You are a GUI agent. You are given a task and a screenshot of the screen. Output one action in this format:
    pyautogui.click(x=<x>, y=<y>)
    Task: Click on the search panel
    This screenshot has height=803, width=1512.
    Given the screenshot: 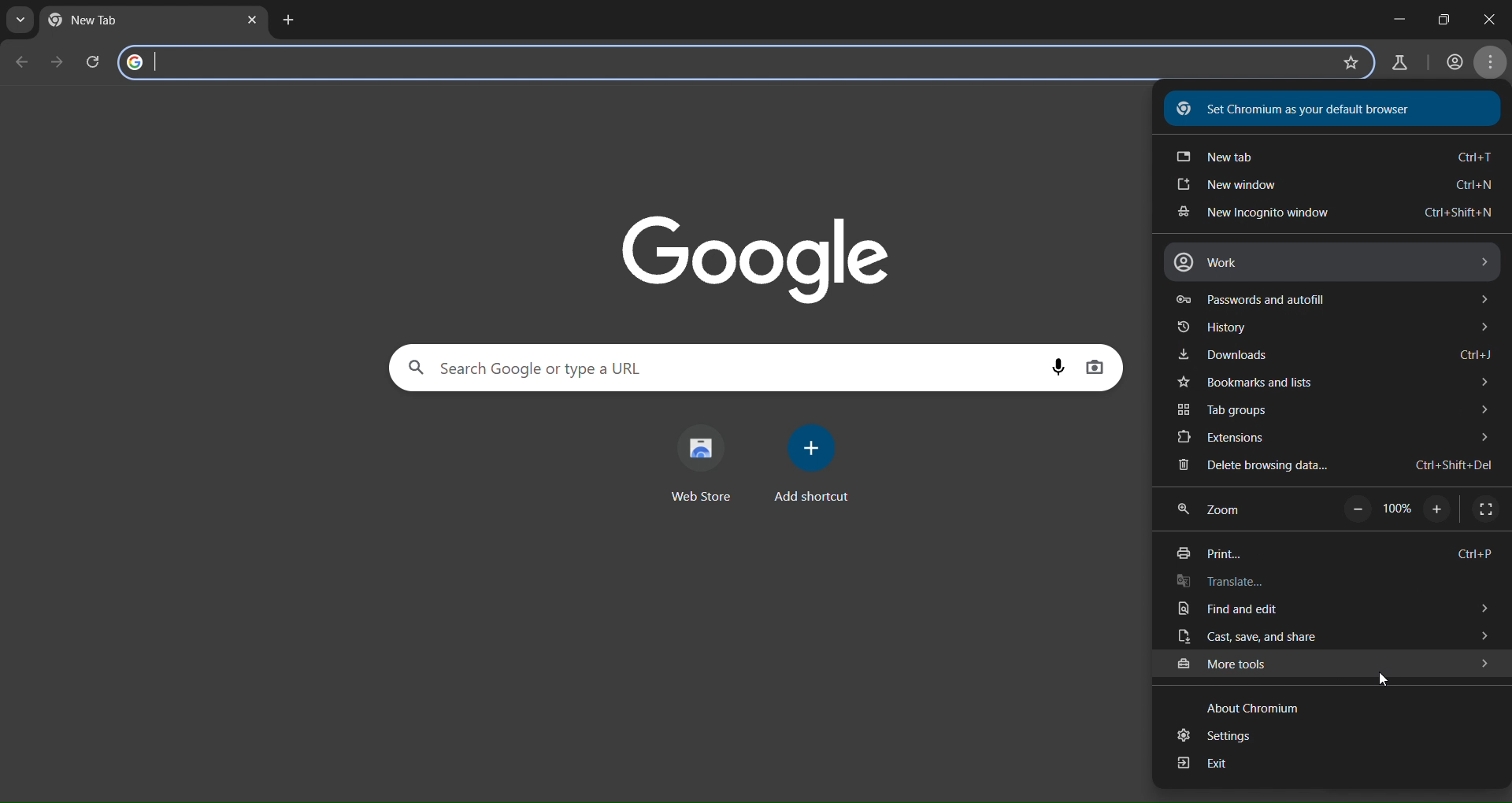 What is the action you would take?
    pyautogui.click(x=235, y=61)
    